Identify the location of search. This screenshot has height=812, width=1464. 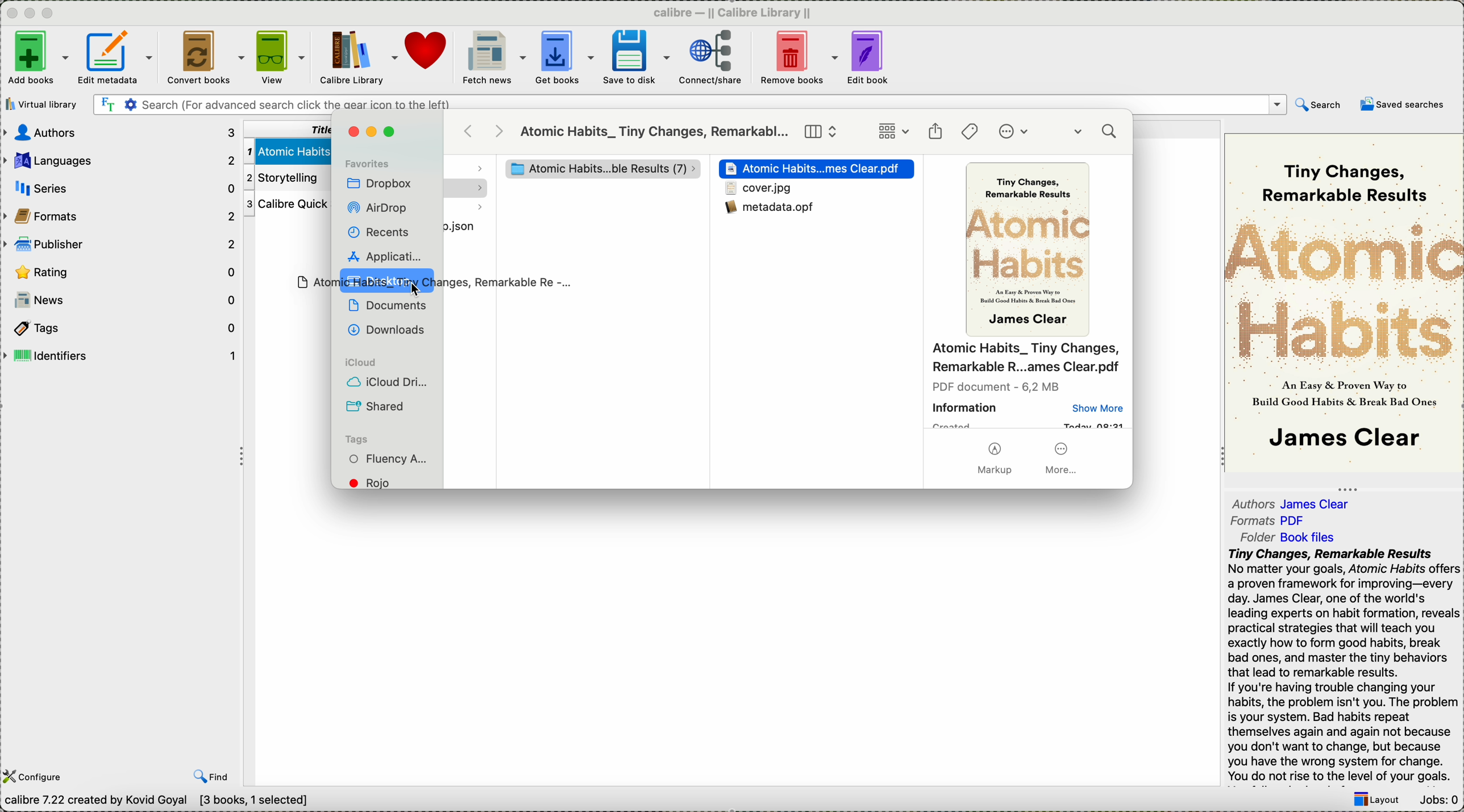
(1319, 107).